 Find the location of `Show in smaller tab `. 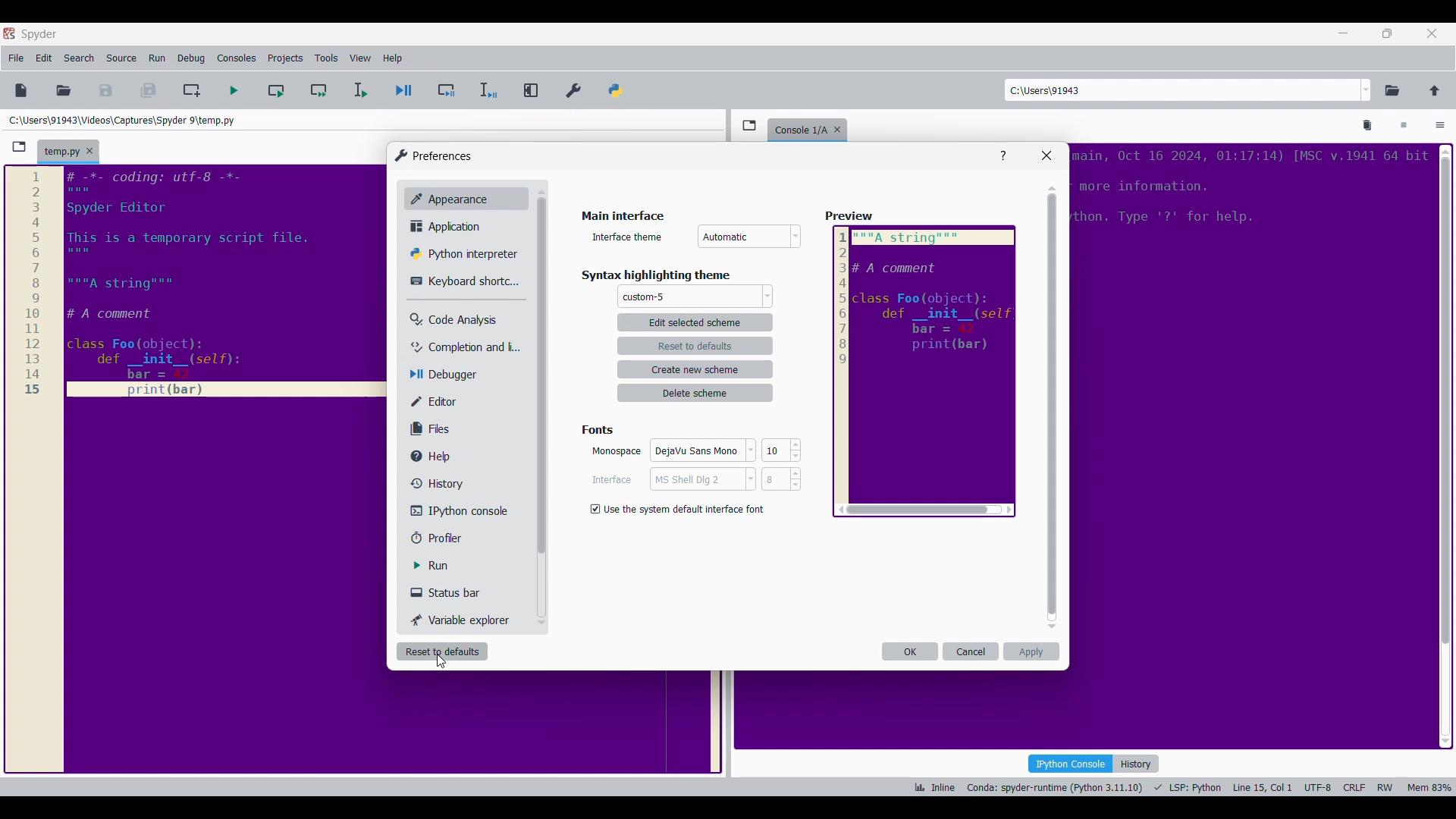

Show in smaller tab  is located at coordinates (1387, 33).